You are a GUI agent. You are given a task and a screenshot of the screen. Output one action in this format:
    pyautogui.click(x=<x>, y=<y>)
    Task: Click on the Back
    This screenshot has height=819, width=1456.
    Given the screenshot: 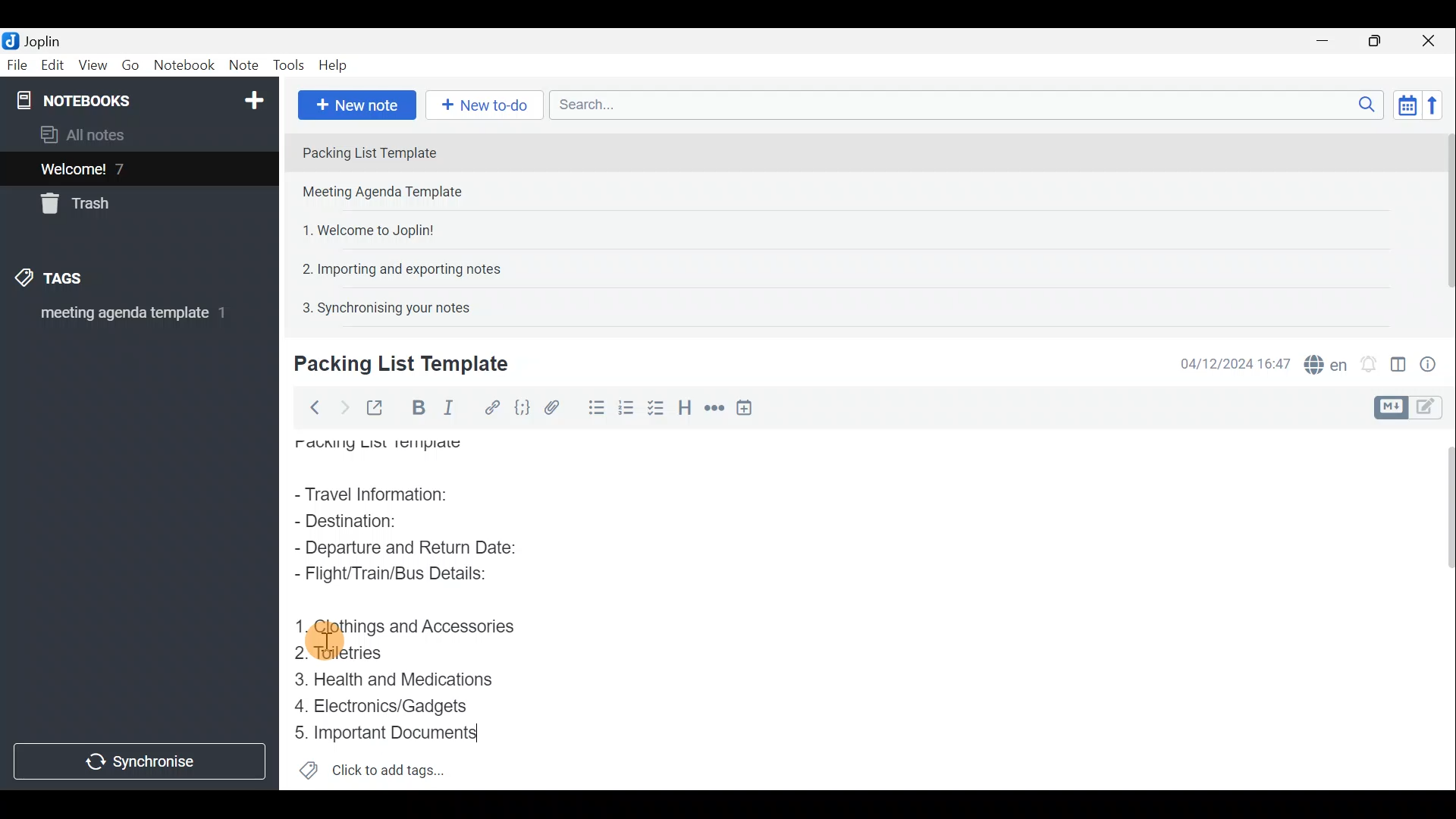 What is the action you would take?
    pyautogui.click(x=312, y=407)
    